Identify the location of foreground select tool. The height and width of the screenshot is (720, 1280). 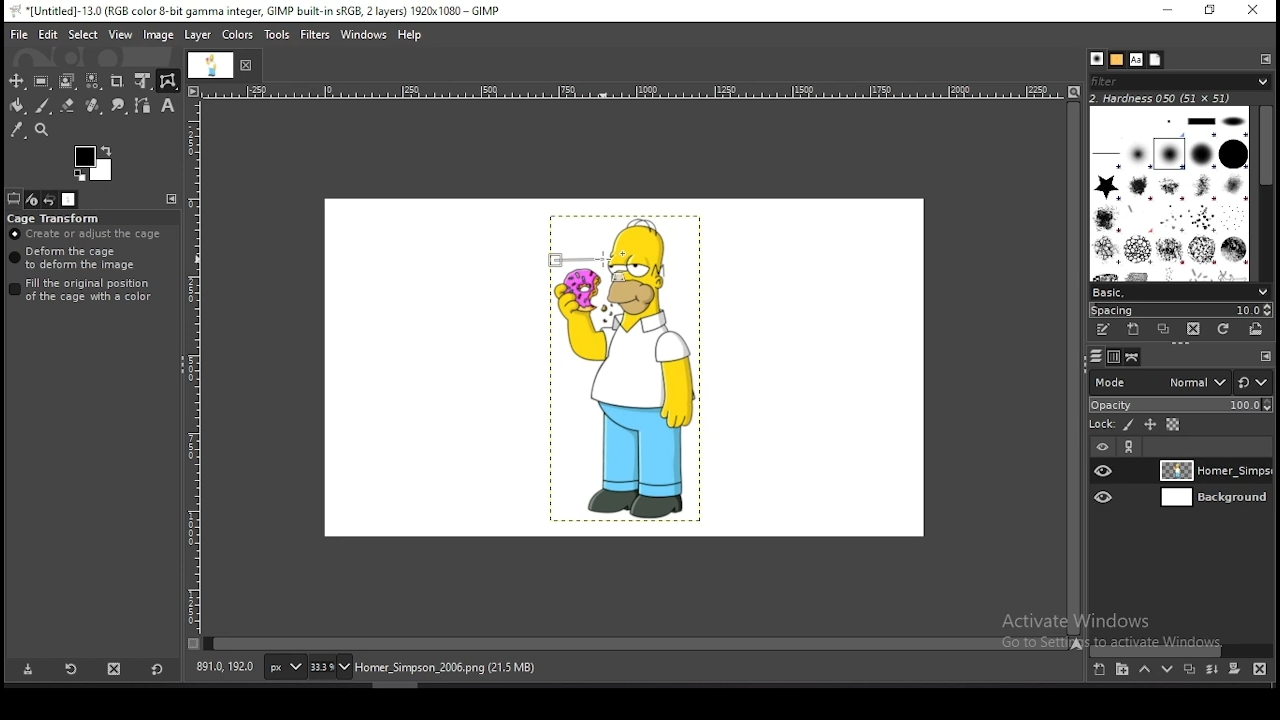
(67, 81).